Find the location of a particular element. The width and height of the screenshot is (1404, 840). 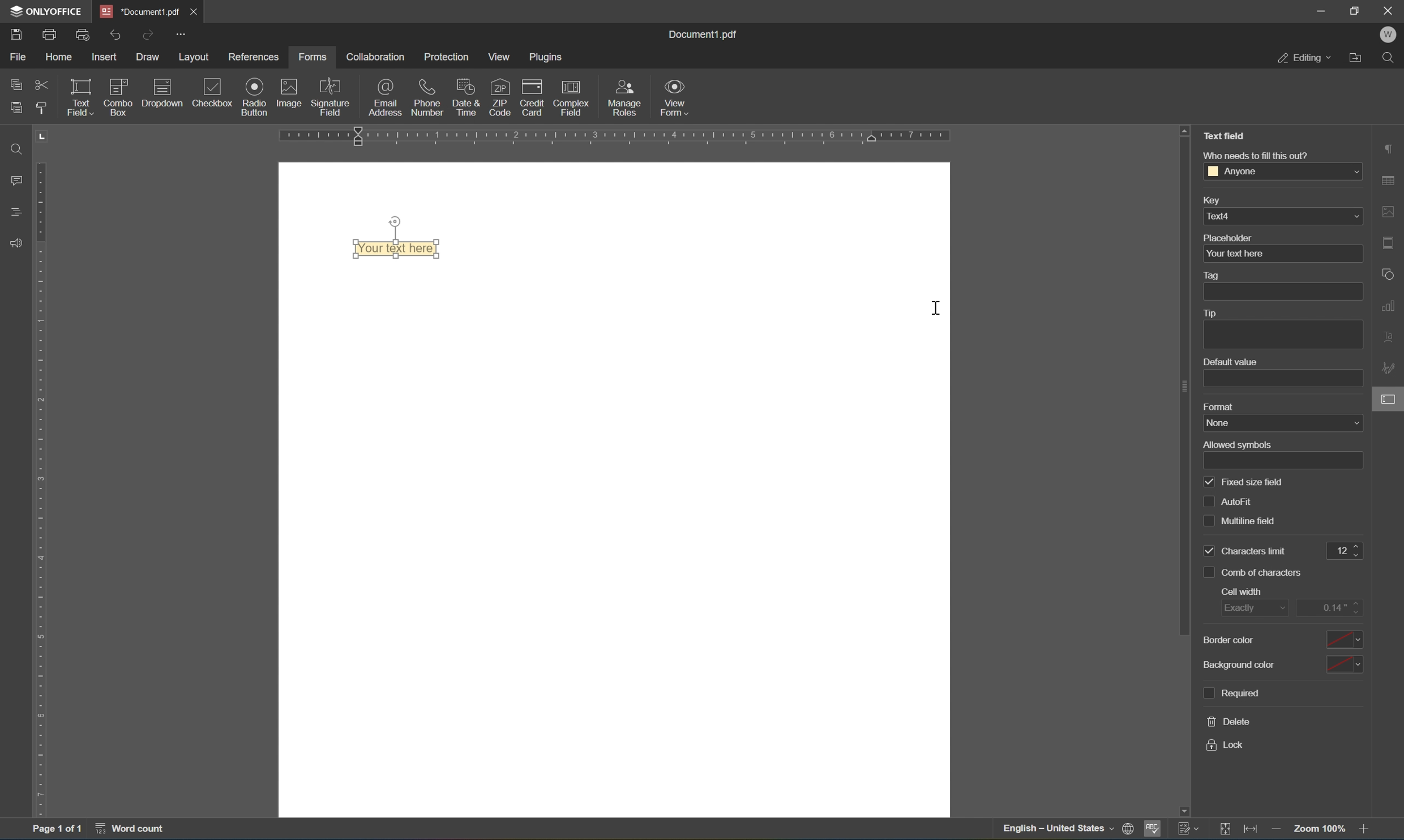

signature field is located at coordinates (333, 98).